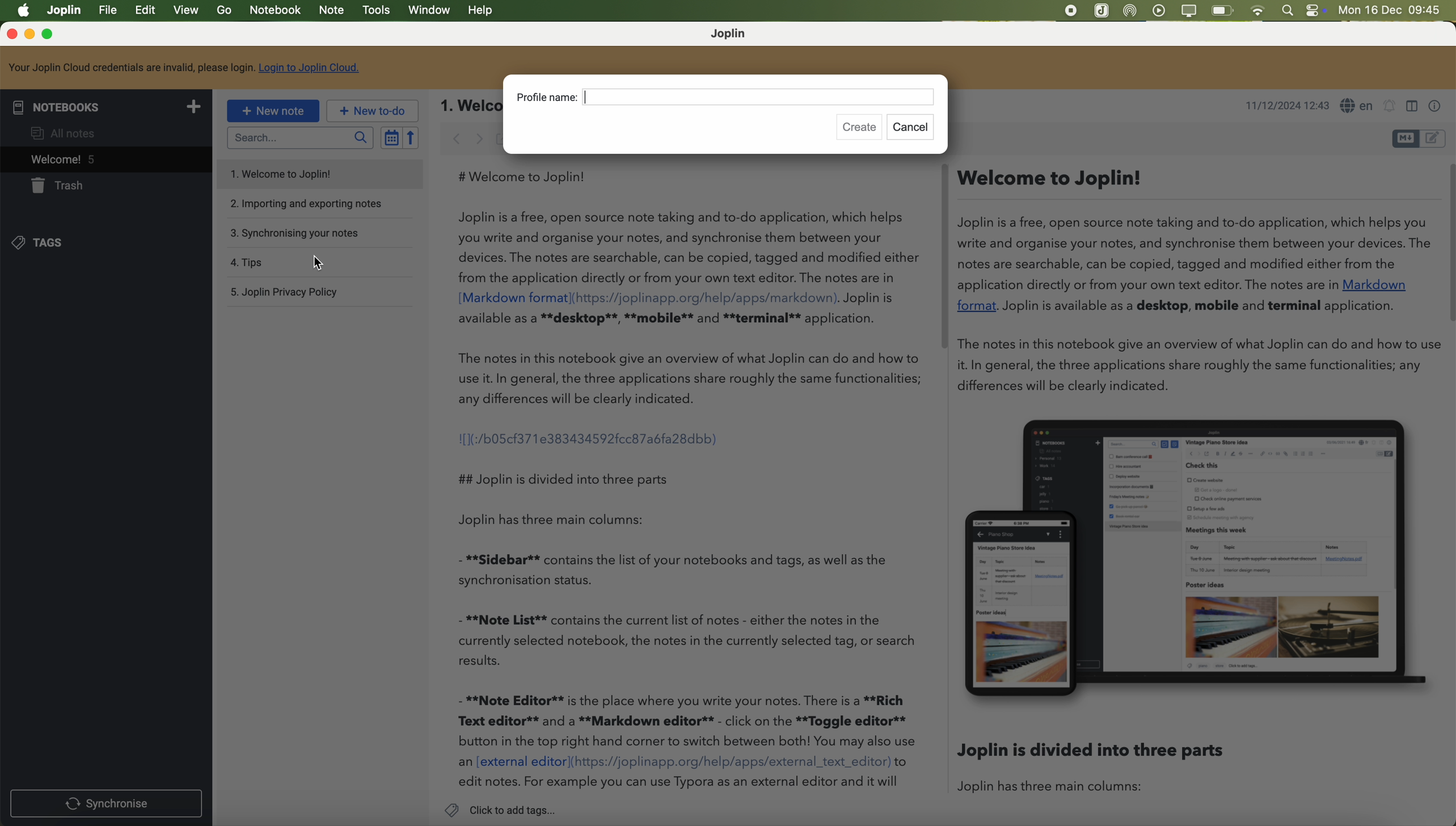 The height and width of the screenshot is (826, 1456). What do you see at coordinates (1446, 244) in the screenshot?
I see `scroll bar` at bounding box center [1446, 244].